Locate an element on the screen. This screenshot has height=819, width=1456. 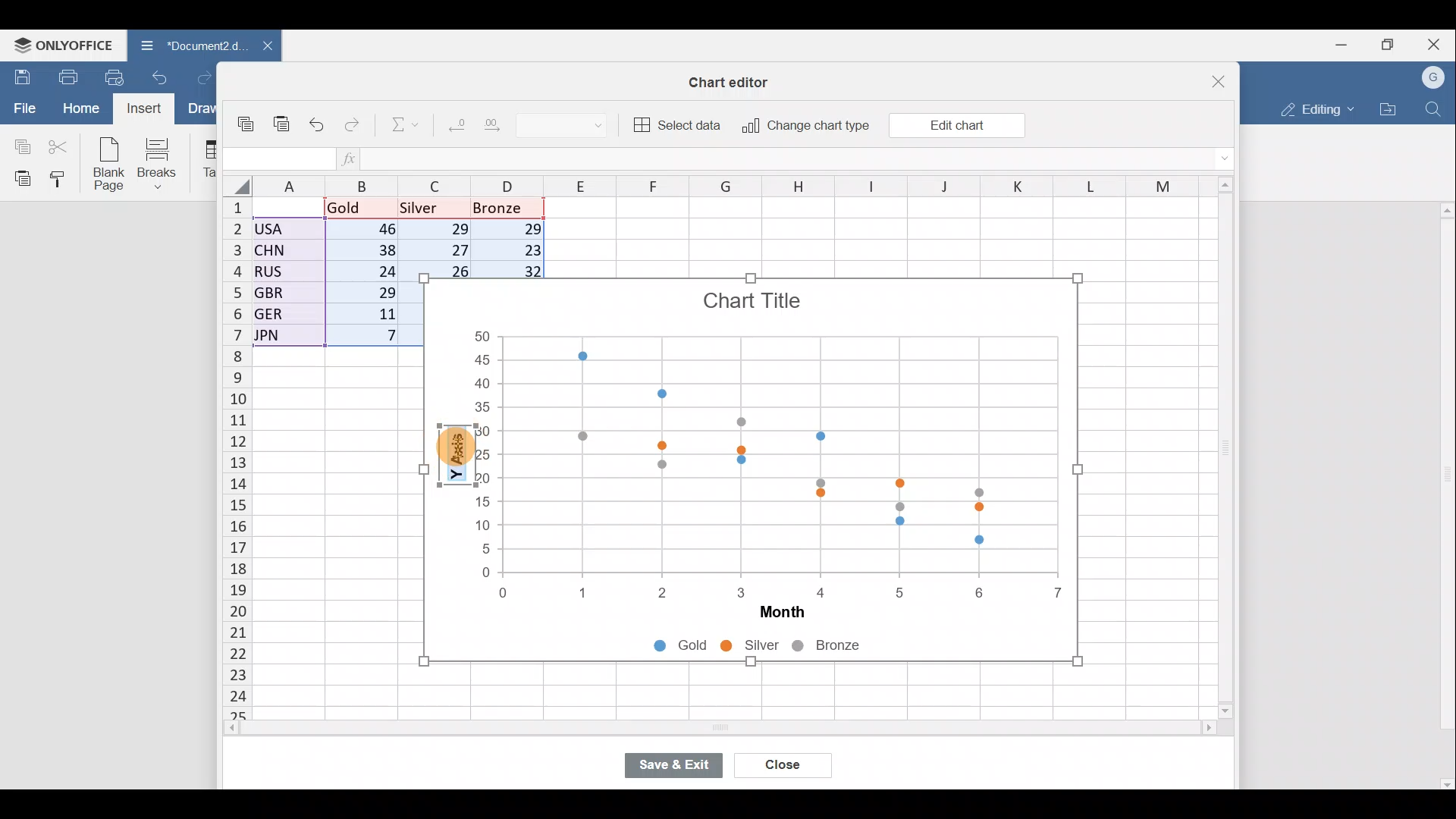
Insert function is located at coordinates (350, 158).